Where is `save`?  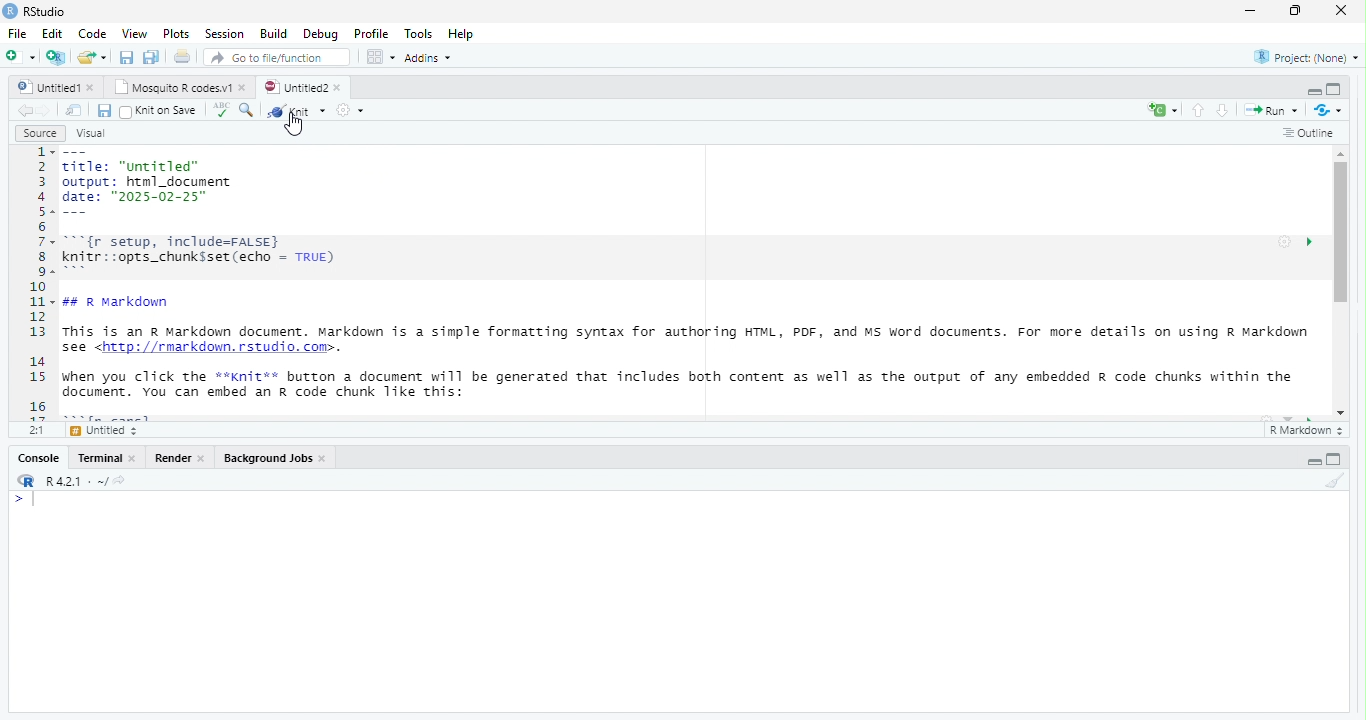 save is located at coordinates (128, 57).